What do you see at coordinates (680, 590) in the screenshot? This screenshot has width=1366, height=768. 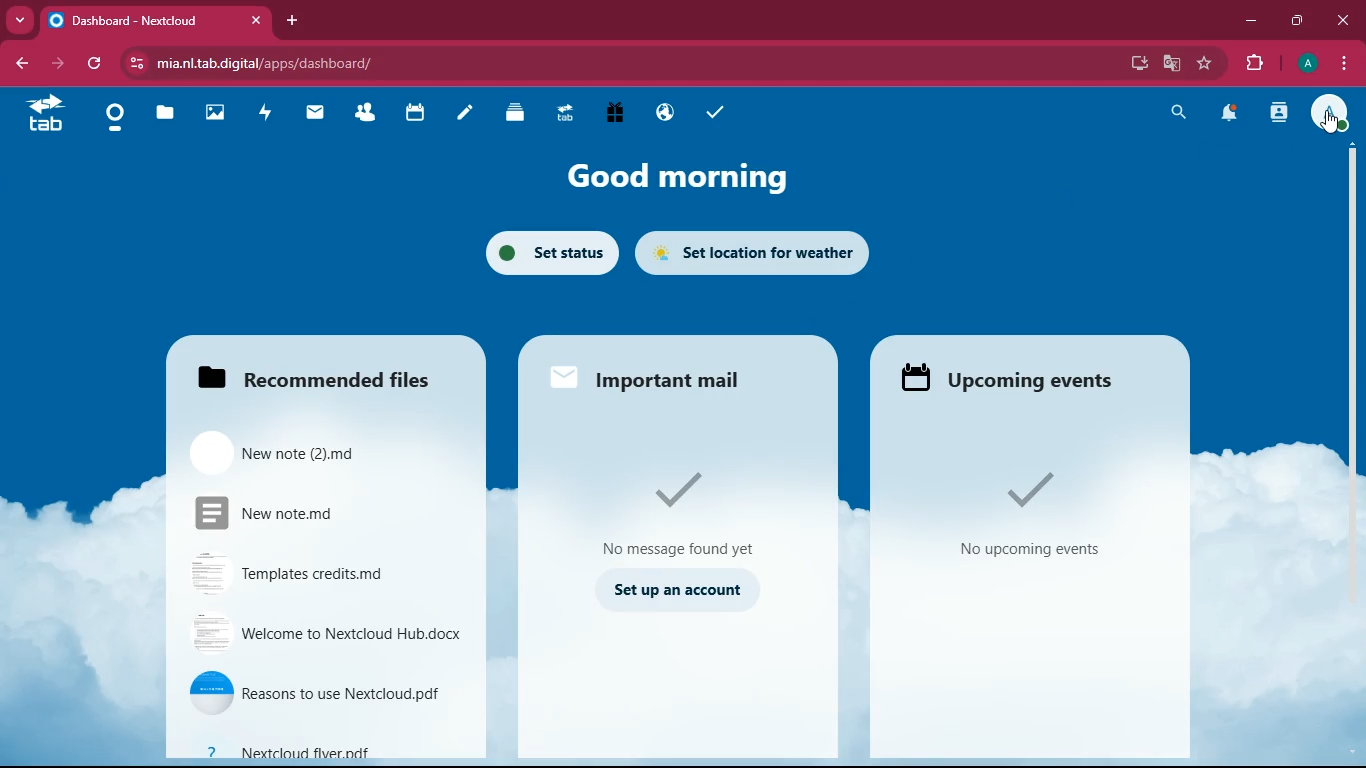 I see `set up` at bounding box center [680, 590].